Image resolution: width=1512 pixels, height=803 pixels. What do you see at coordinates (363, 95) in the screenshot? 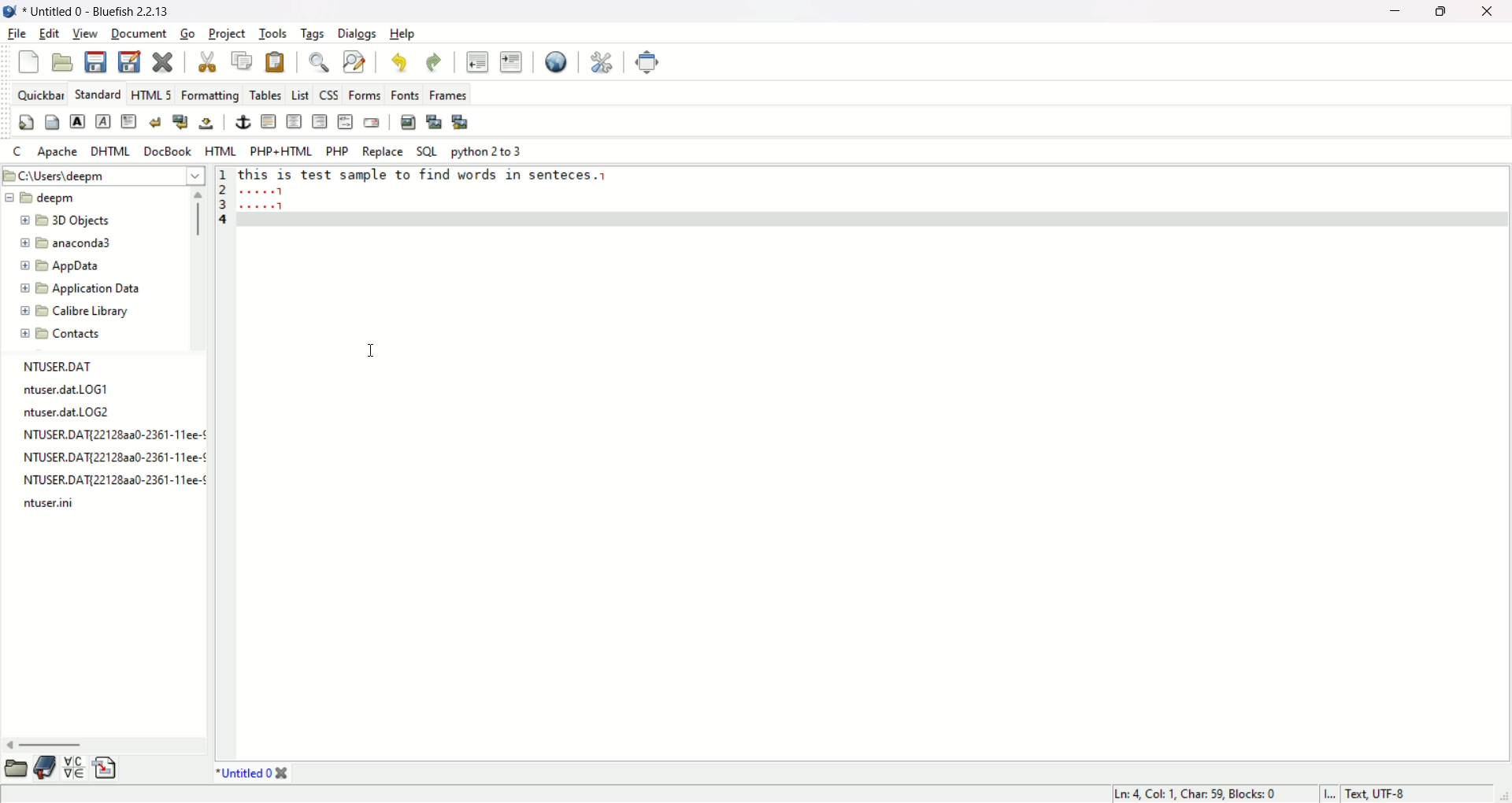
I see `forms` at bounding box center [363, 95].